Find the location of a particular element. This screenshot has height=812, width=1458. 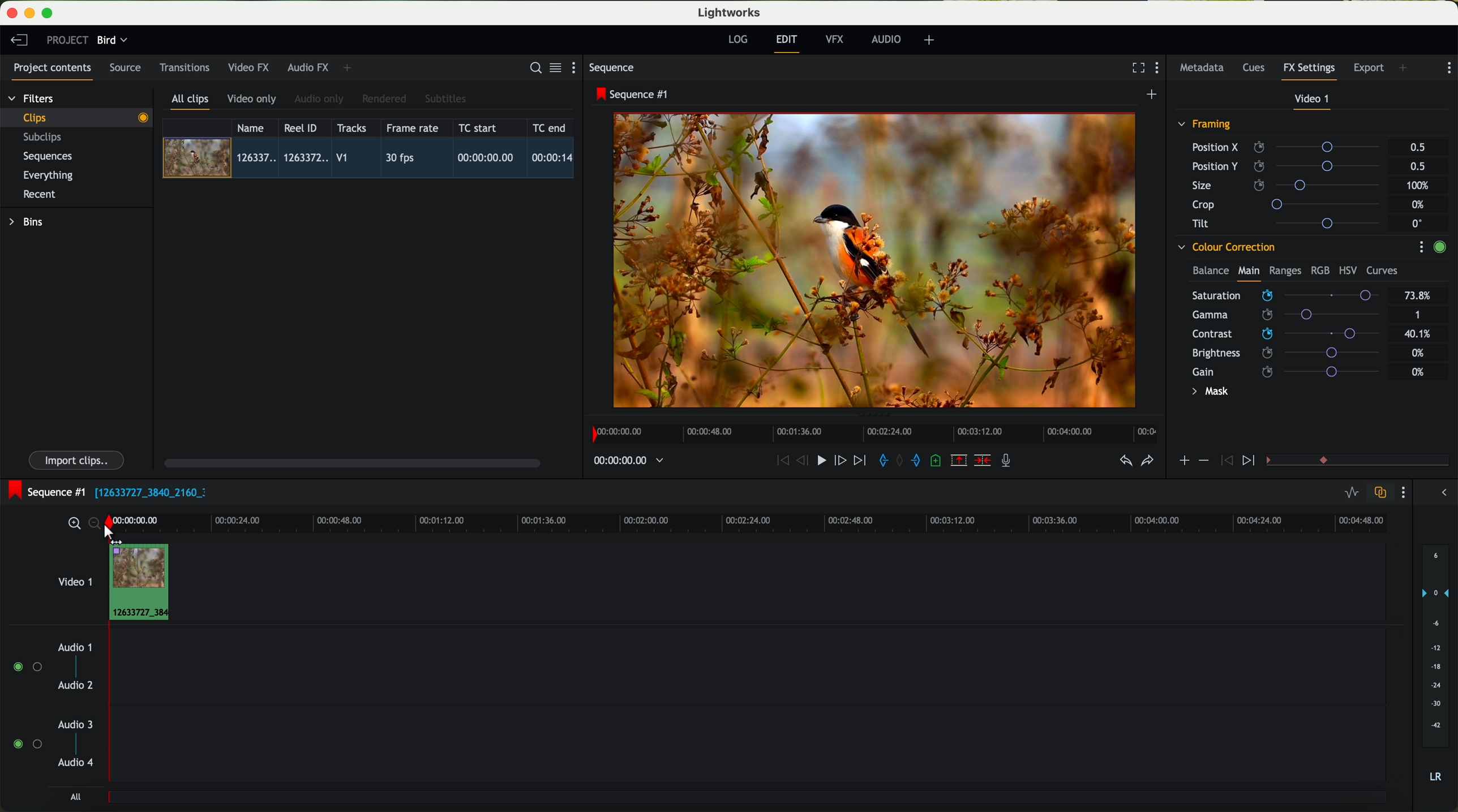

toggle audio levels editing is located at coordinates (1351, 494).